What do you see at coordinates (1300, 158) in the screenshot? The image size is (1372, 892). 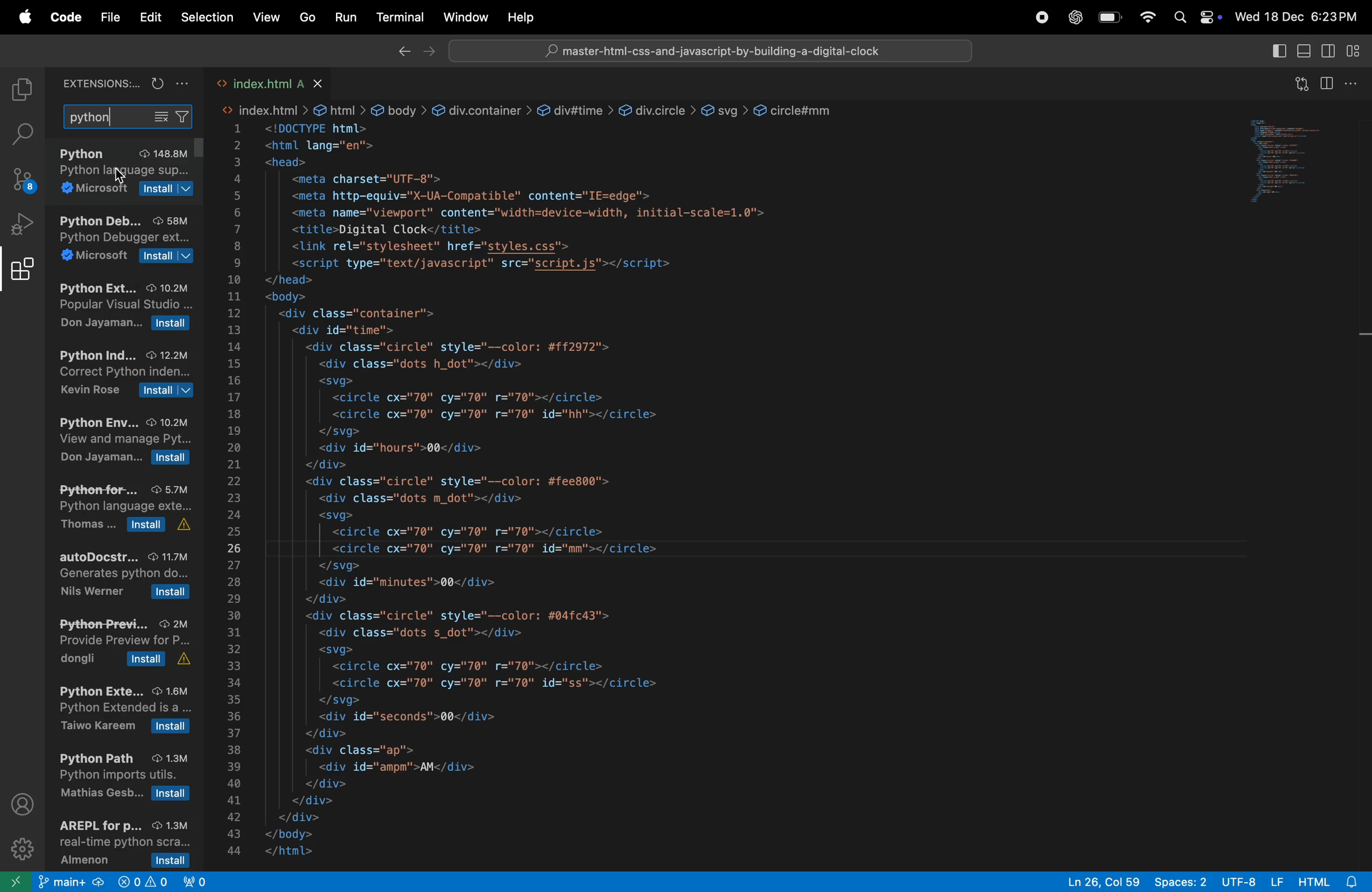 I see `code window` at bounding box center [1300, 158].